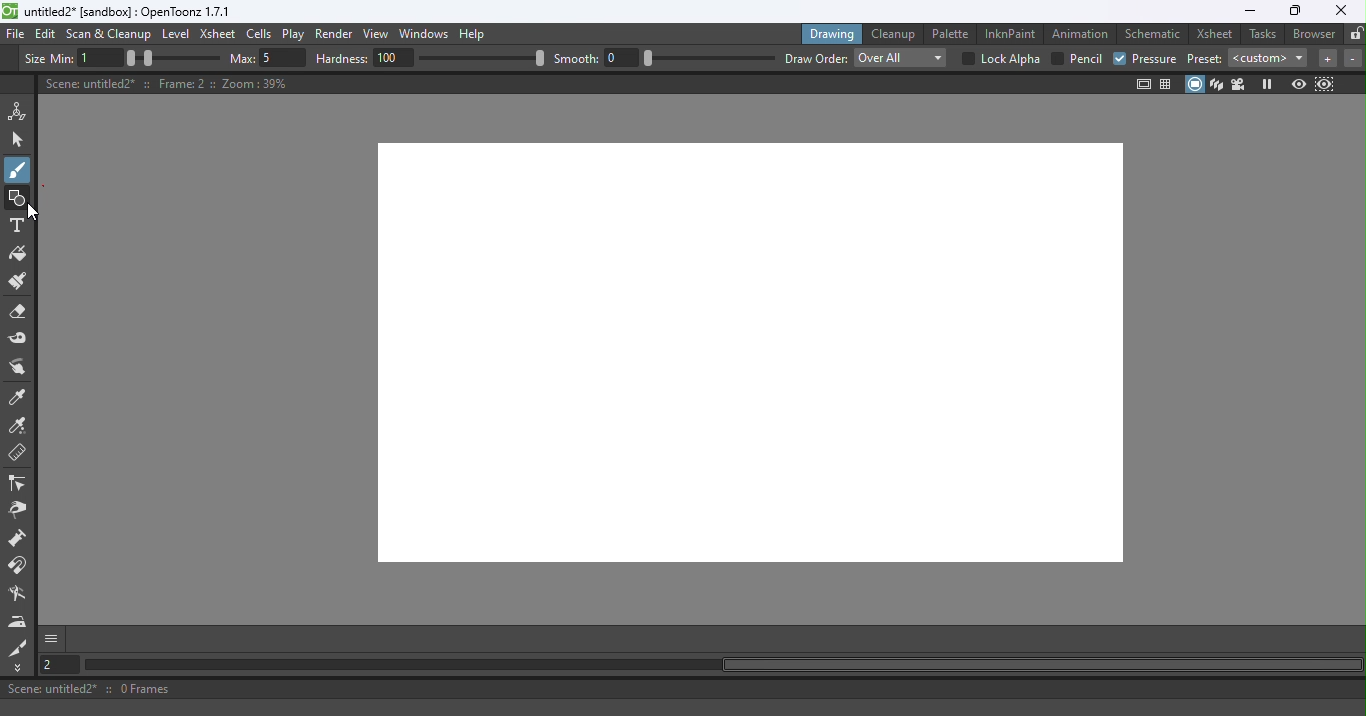 This screenshot has height=716, width=1366. I want to click on Draw order, so click(816, 59).